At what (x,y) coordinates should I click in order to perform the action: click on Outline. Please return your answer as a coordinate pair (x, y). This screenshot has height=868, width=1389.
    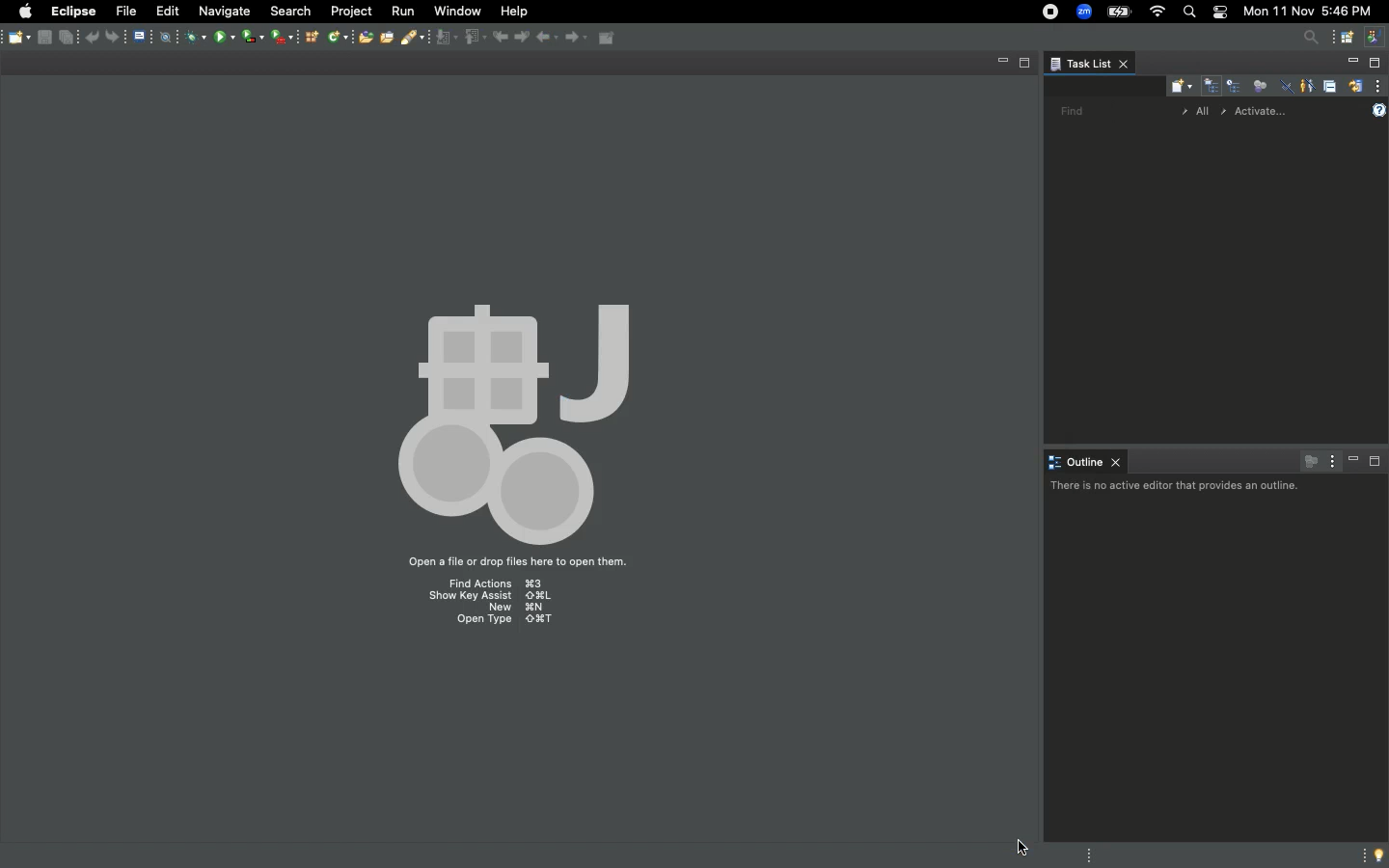
    Looking at the image, I should click on (1085, 461).